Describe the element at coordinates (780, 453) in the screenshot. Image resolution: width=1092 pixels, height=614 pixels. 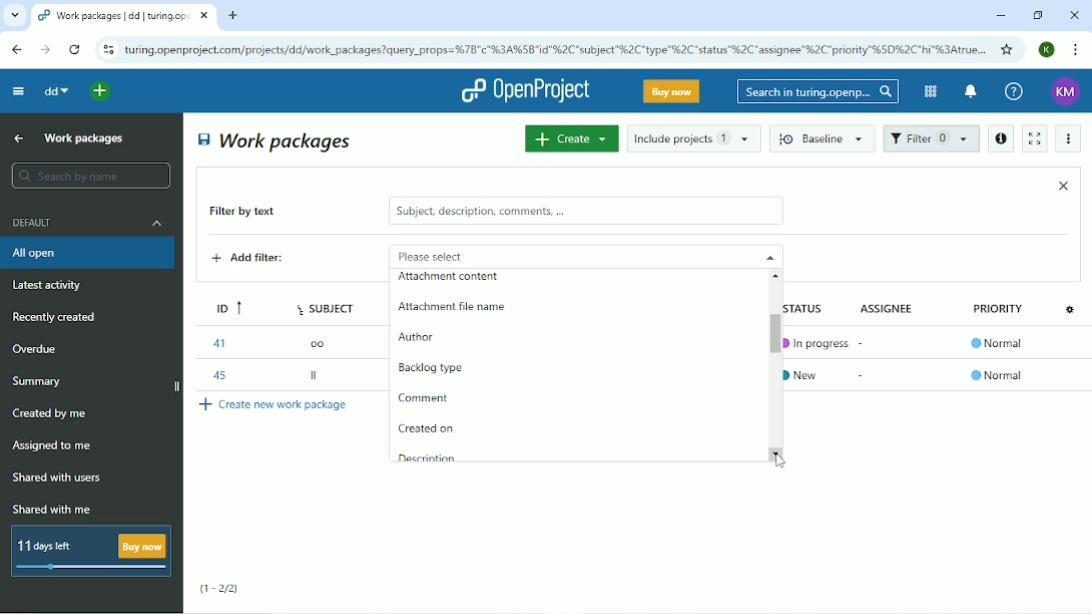
I see `scroll down` at that location.